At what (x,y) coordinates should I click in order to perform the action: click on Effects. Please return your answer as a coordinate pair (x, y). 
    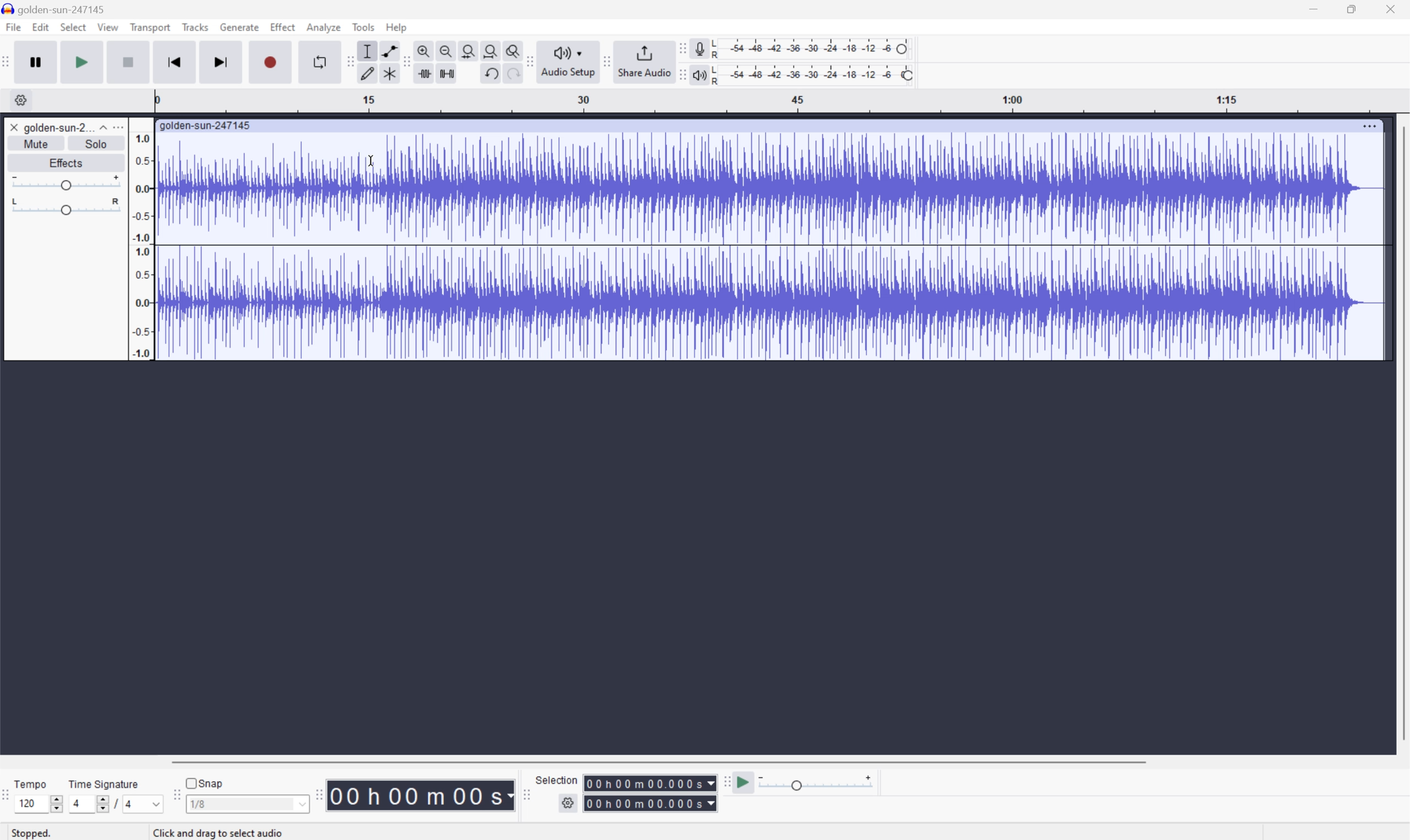
    Looking at the image, I should click on (66, 162).